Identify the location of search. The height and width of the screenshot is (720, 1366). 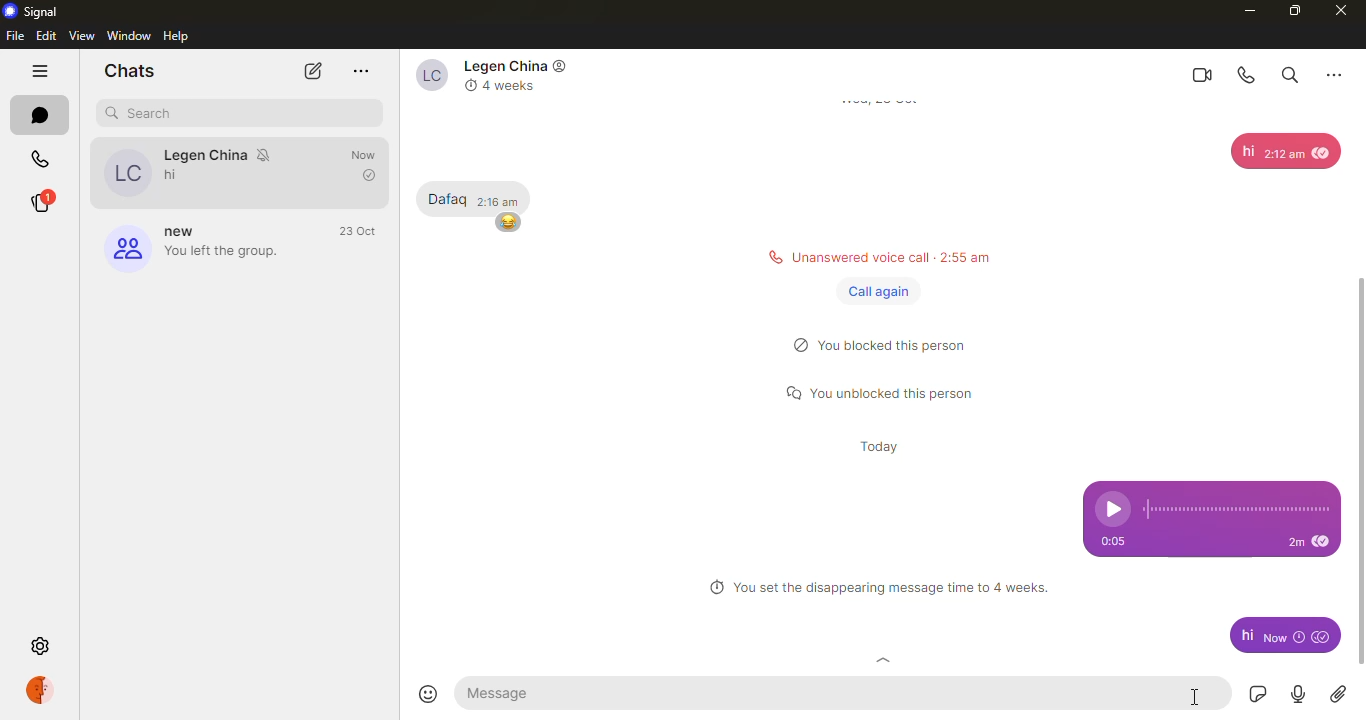
(1288, 73).